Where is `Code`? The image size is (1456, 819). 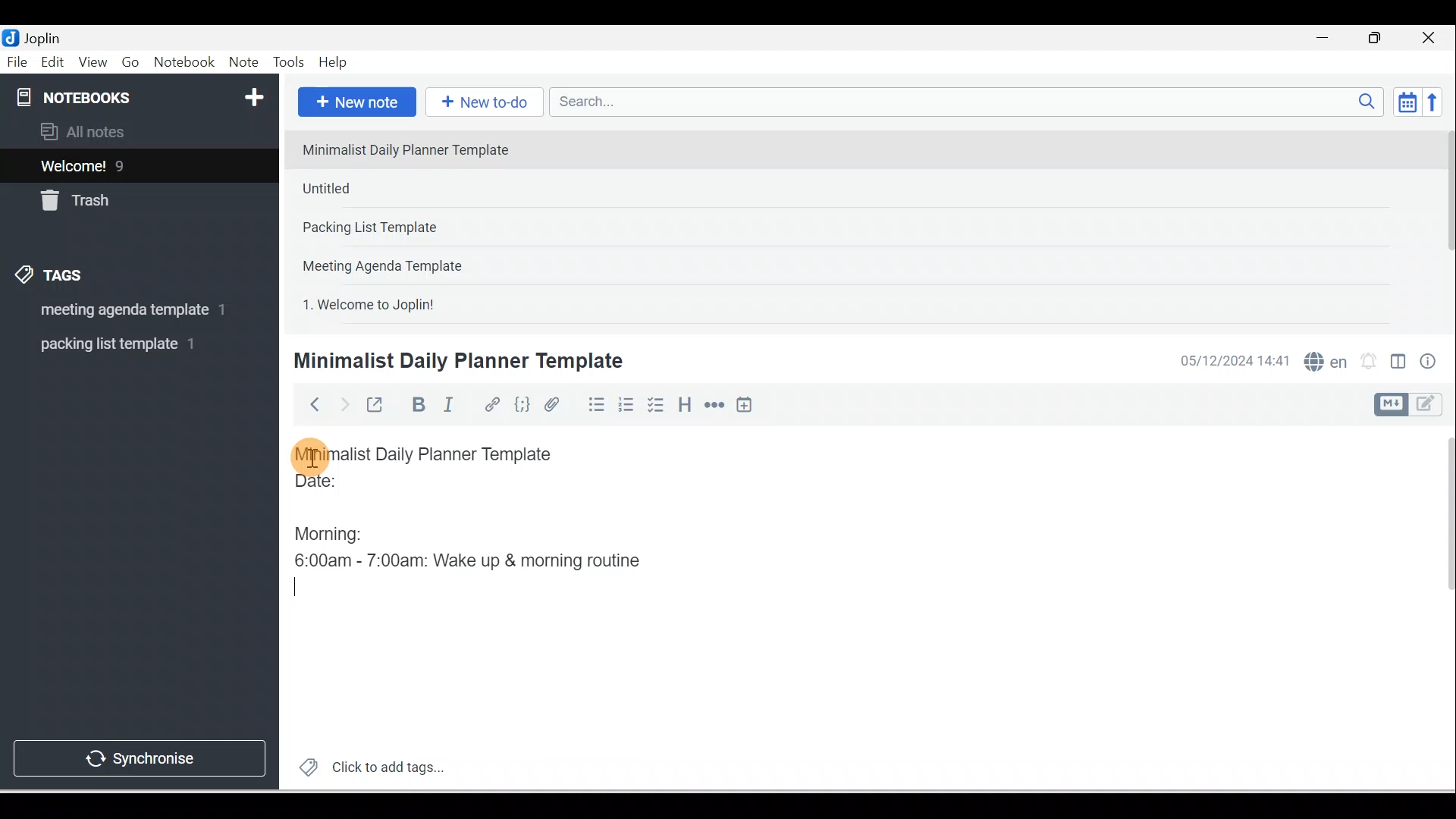
Code is located at coordinates (522, 406).